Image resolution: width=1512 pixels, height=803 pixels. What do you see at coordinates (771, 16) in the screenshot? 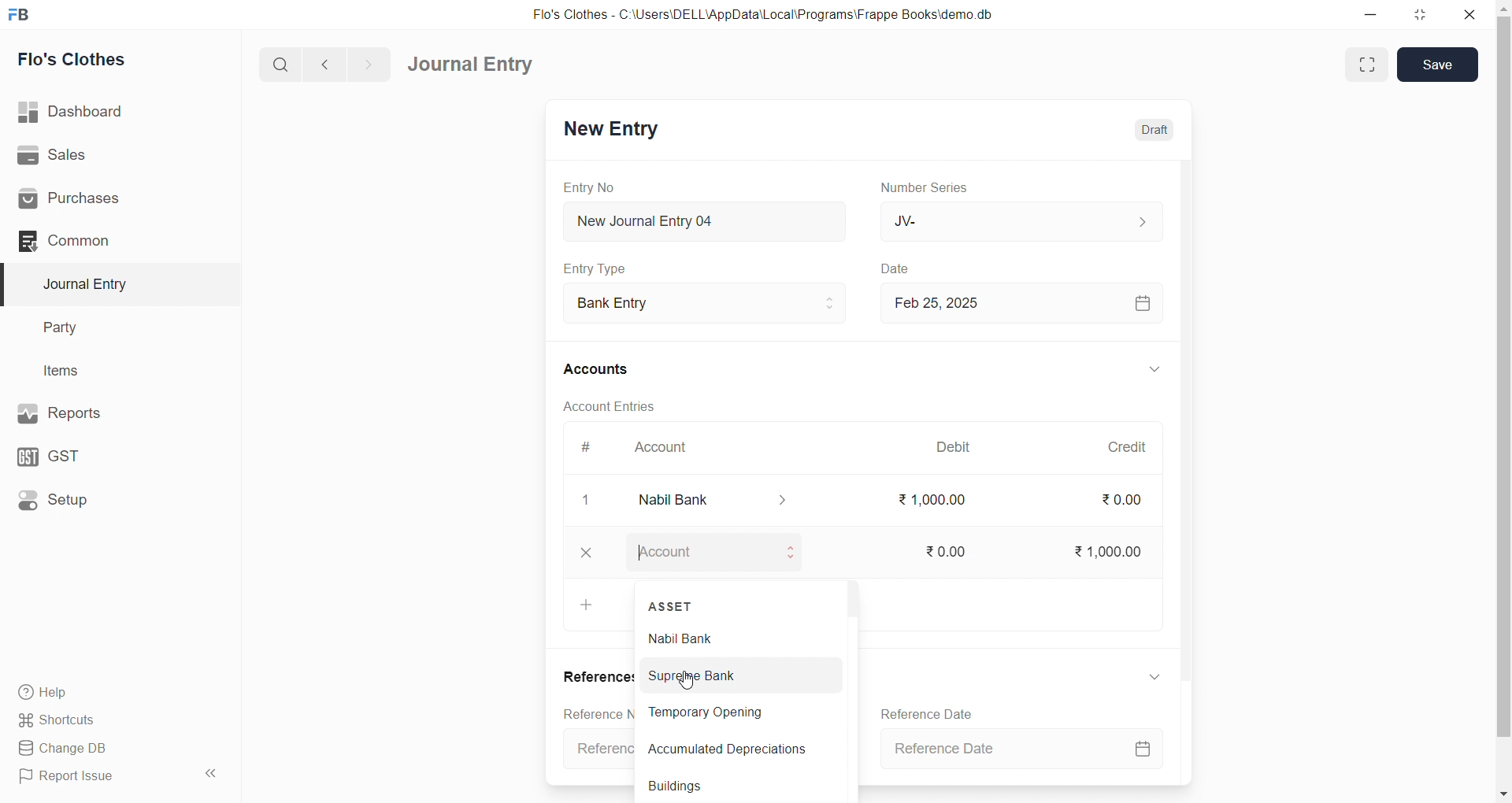
I see `Flo's Clothes - C:\Users\DELL\AppData\Local\Programs\Frappe Books\demo.db` at bounding box center [771, 16].